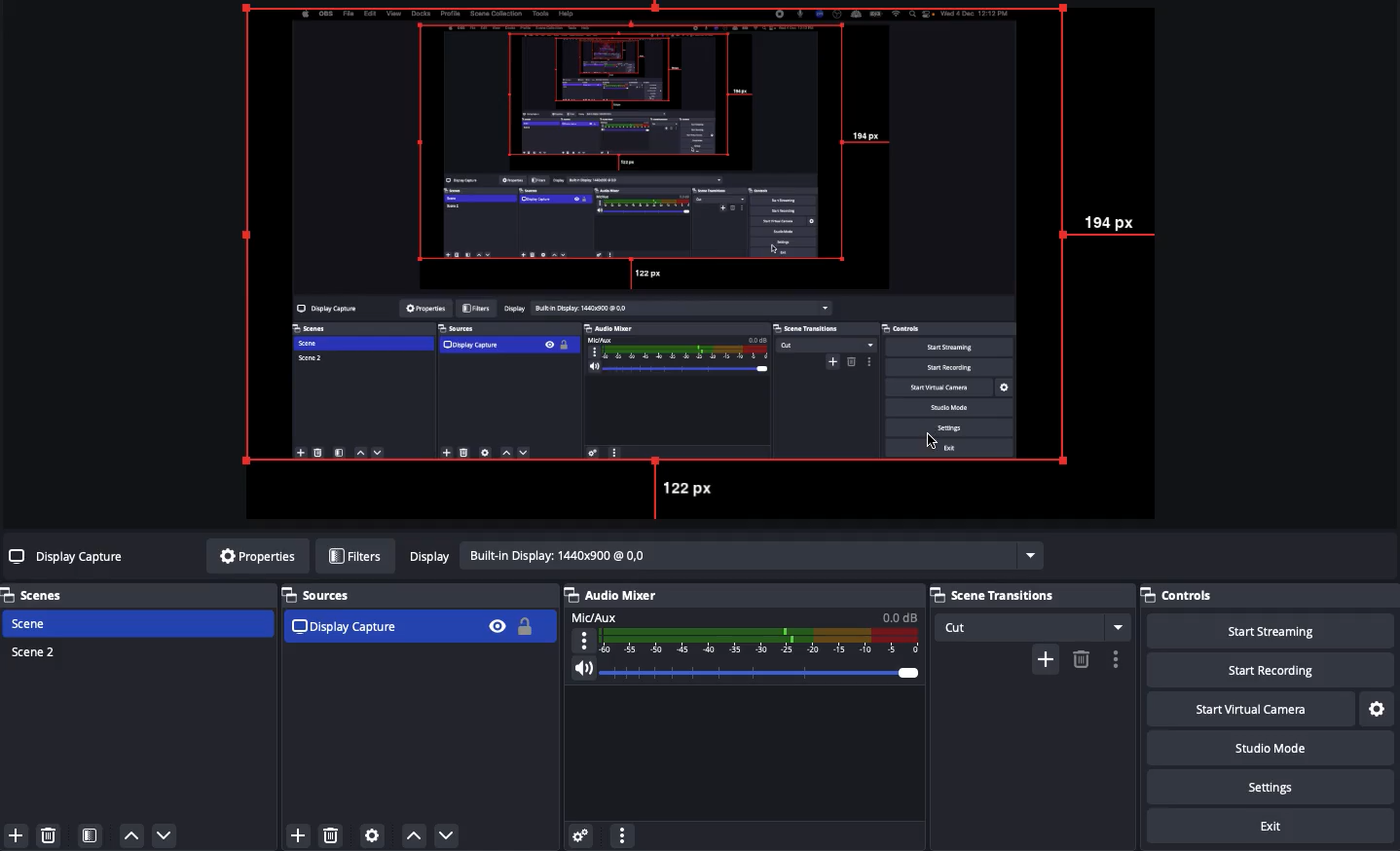 This screenshot has width=1400, height=851. I want to click on Scene 1, so click(42, 623).